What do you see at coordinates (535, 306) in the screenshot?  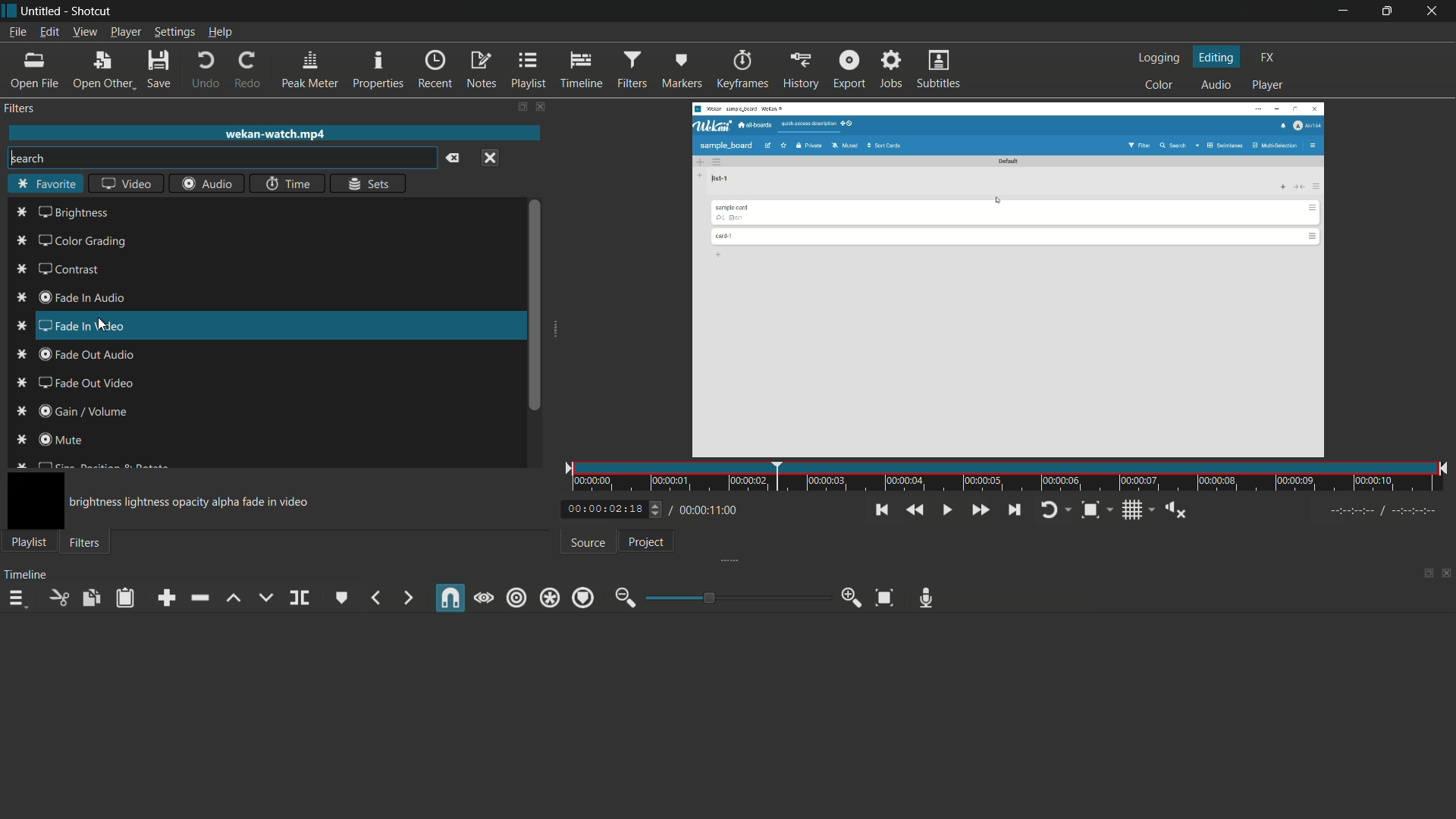 I see `scroll bar` at bounding box center [535, 306].